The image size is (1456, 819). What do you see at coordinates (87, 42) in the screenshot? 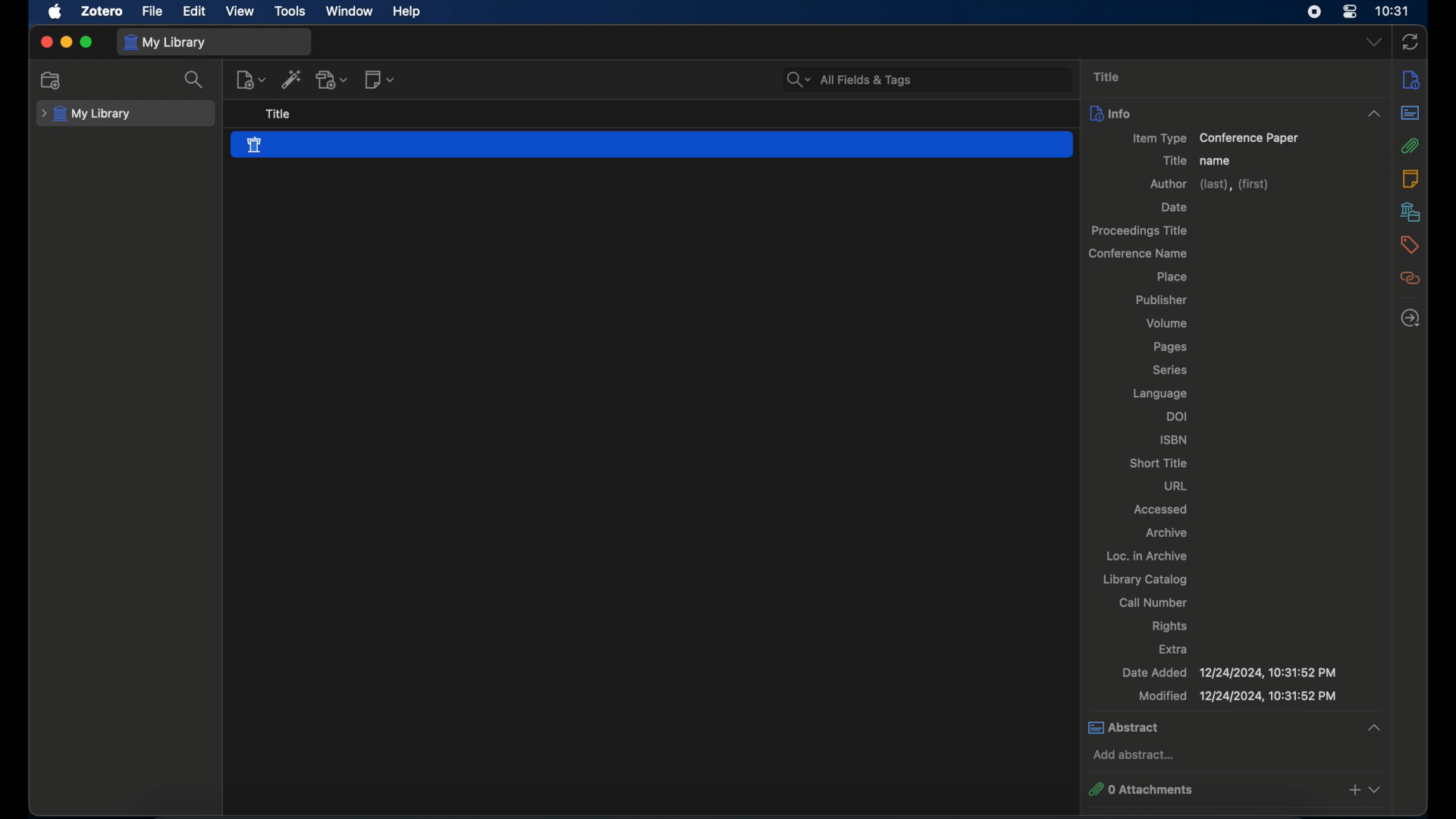
I see `maximize` at bounding box center [87, 42].